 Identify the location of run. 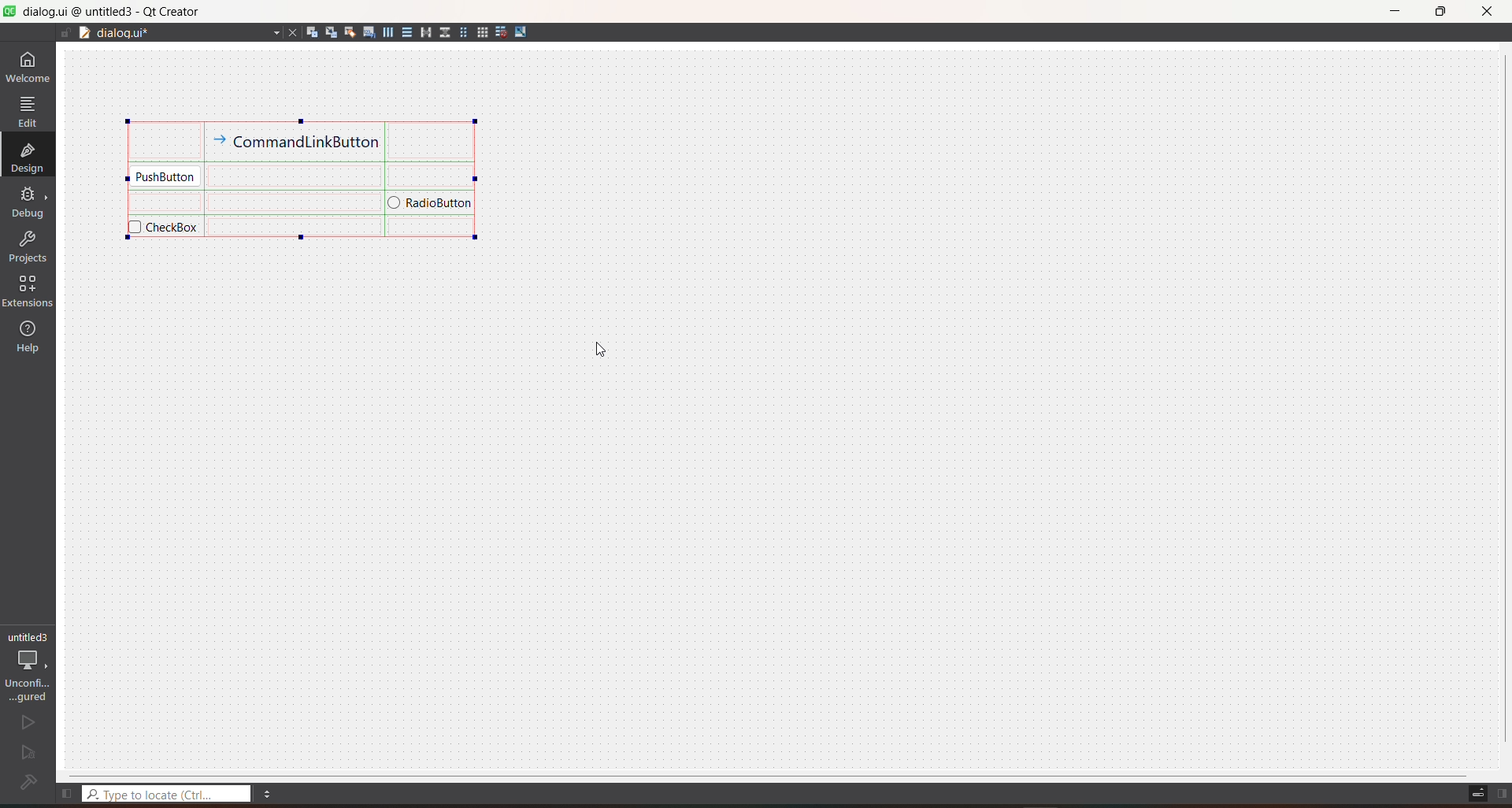
(27, 723).